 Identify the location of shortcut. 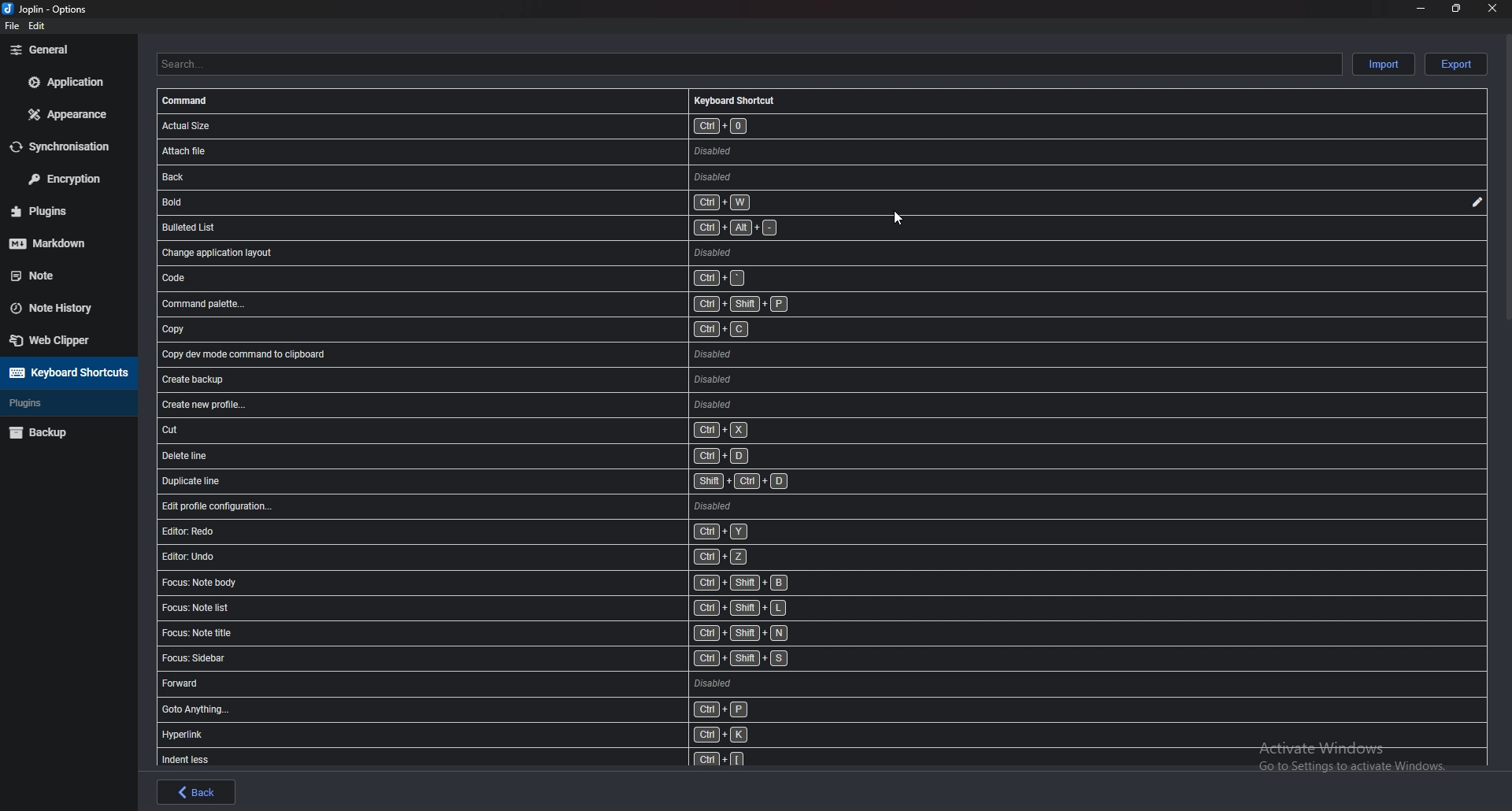
(513, 758).